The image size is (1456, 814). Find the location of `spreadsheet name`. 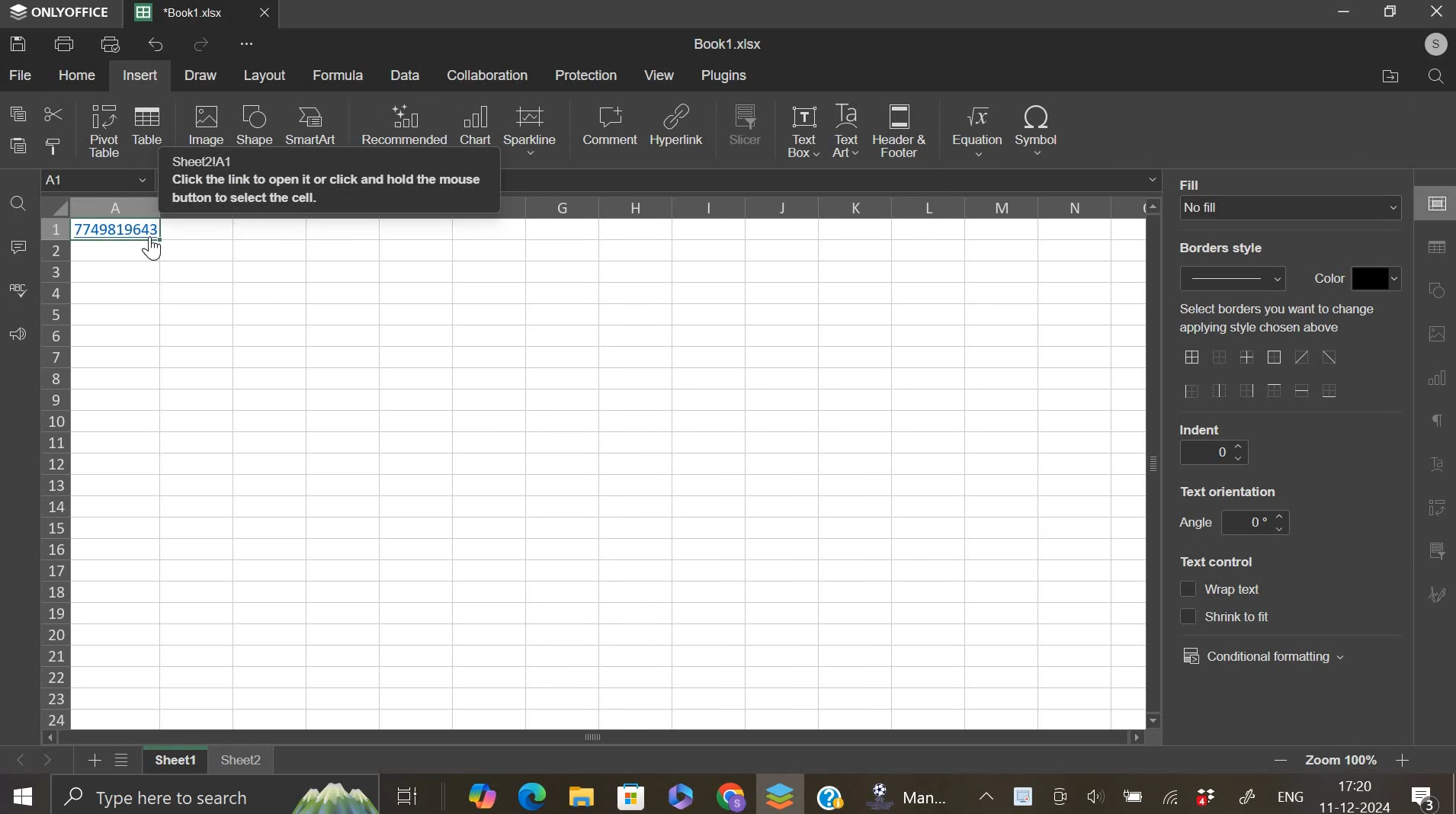

spreadsheet name is located at coordinates (727, 43).